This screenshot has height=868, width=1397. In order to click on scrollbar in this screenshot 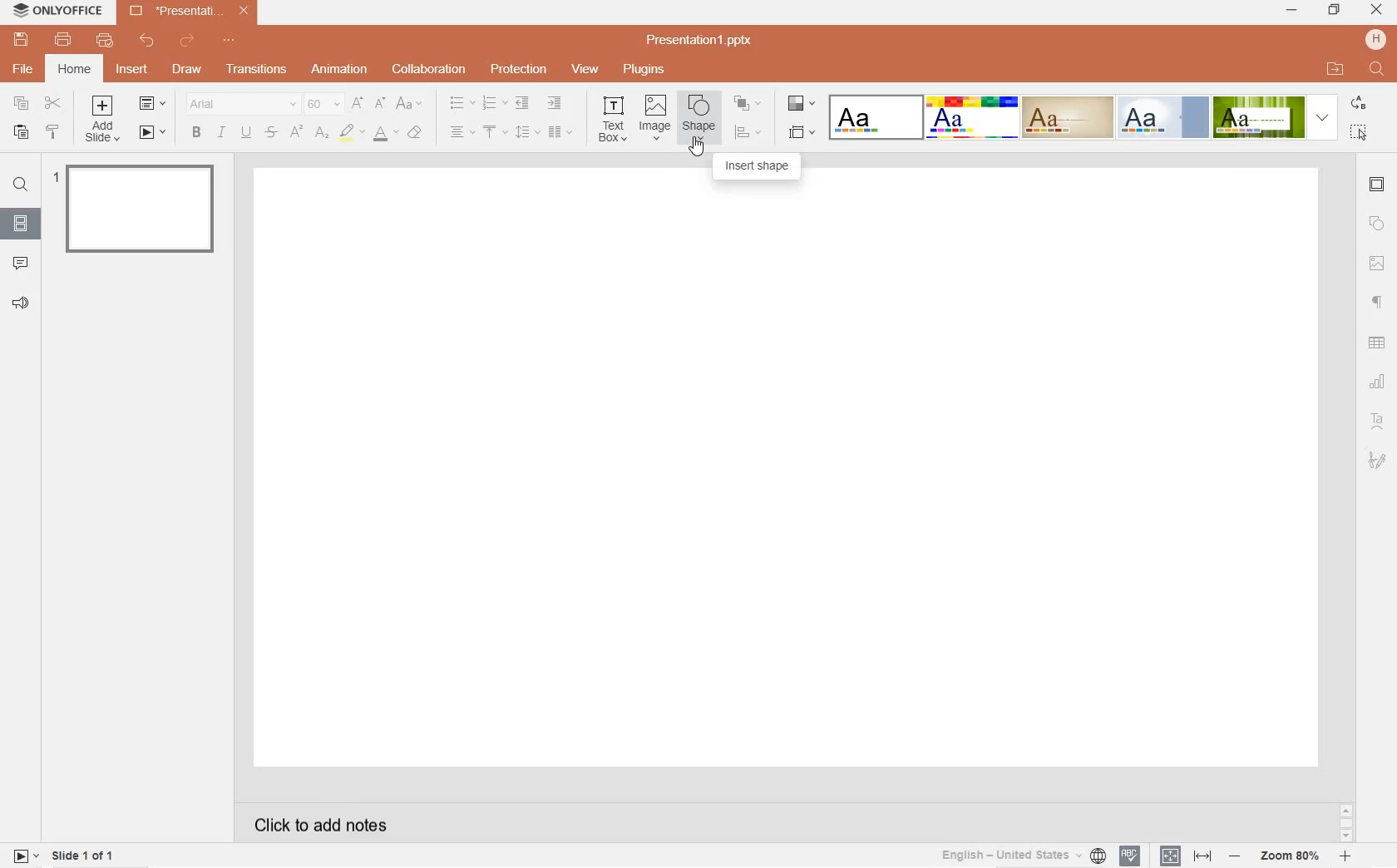, I will do `click(1345, 822)`.